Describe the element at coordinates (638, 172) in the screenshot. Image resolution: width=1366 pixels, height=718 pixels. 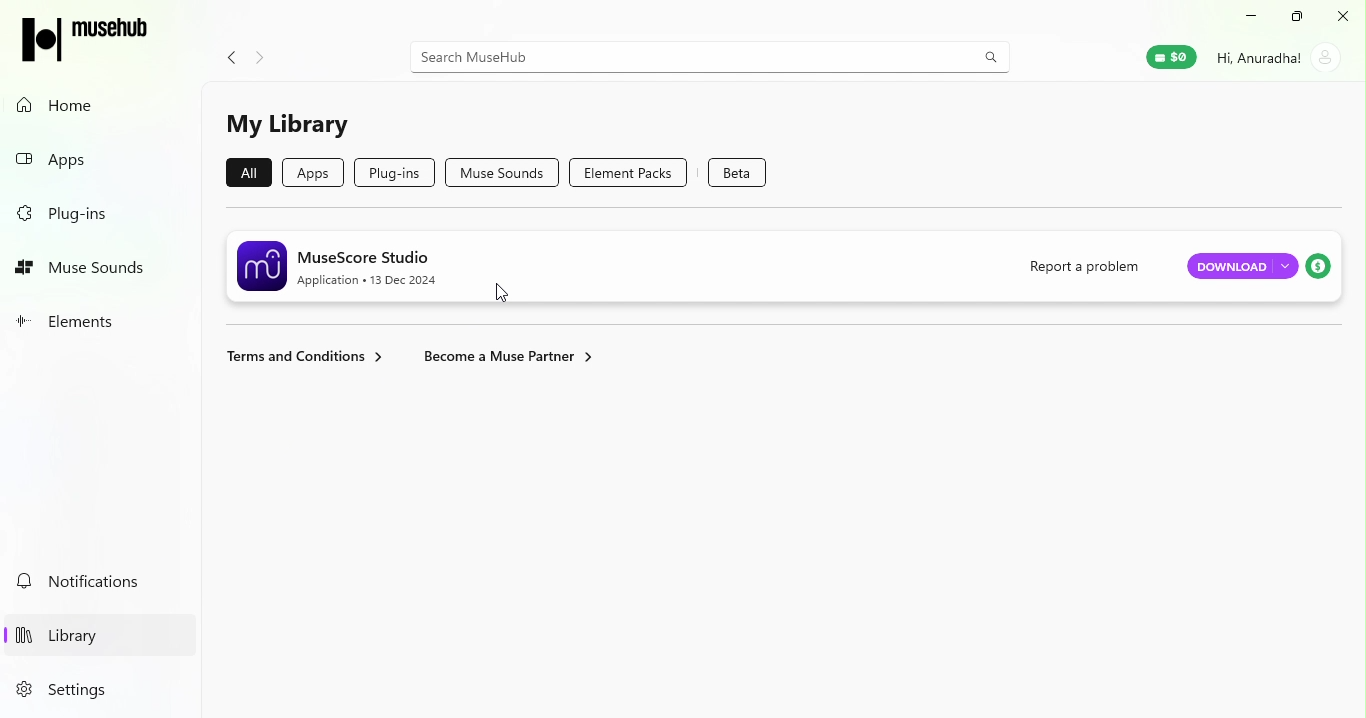
I see `Element packs` at that location.